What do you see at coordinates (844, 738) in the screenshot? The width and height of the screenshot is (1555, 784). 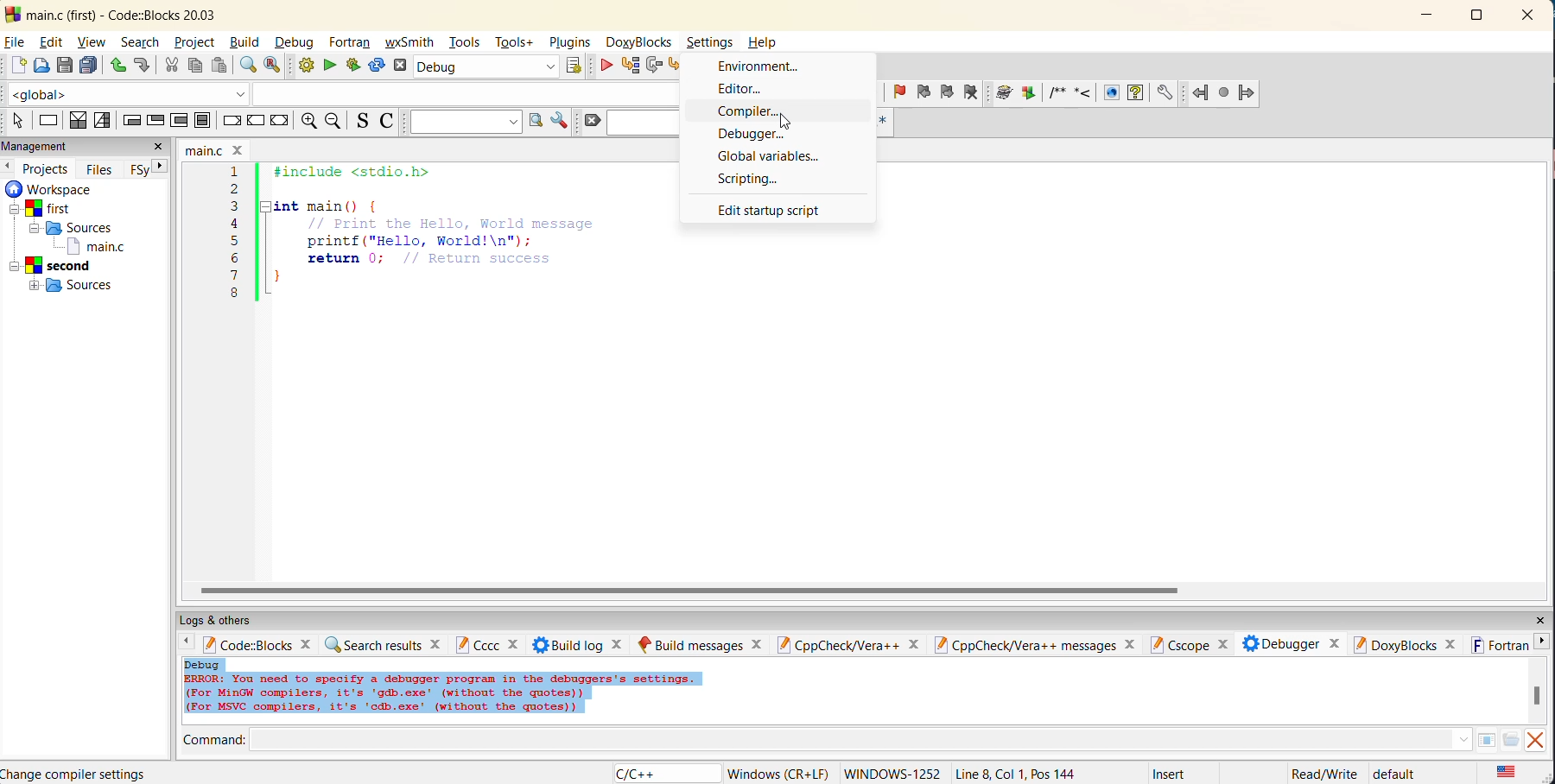 I see `command` at bounding box center [844, 738].